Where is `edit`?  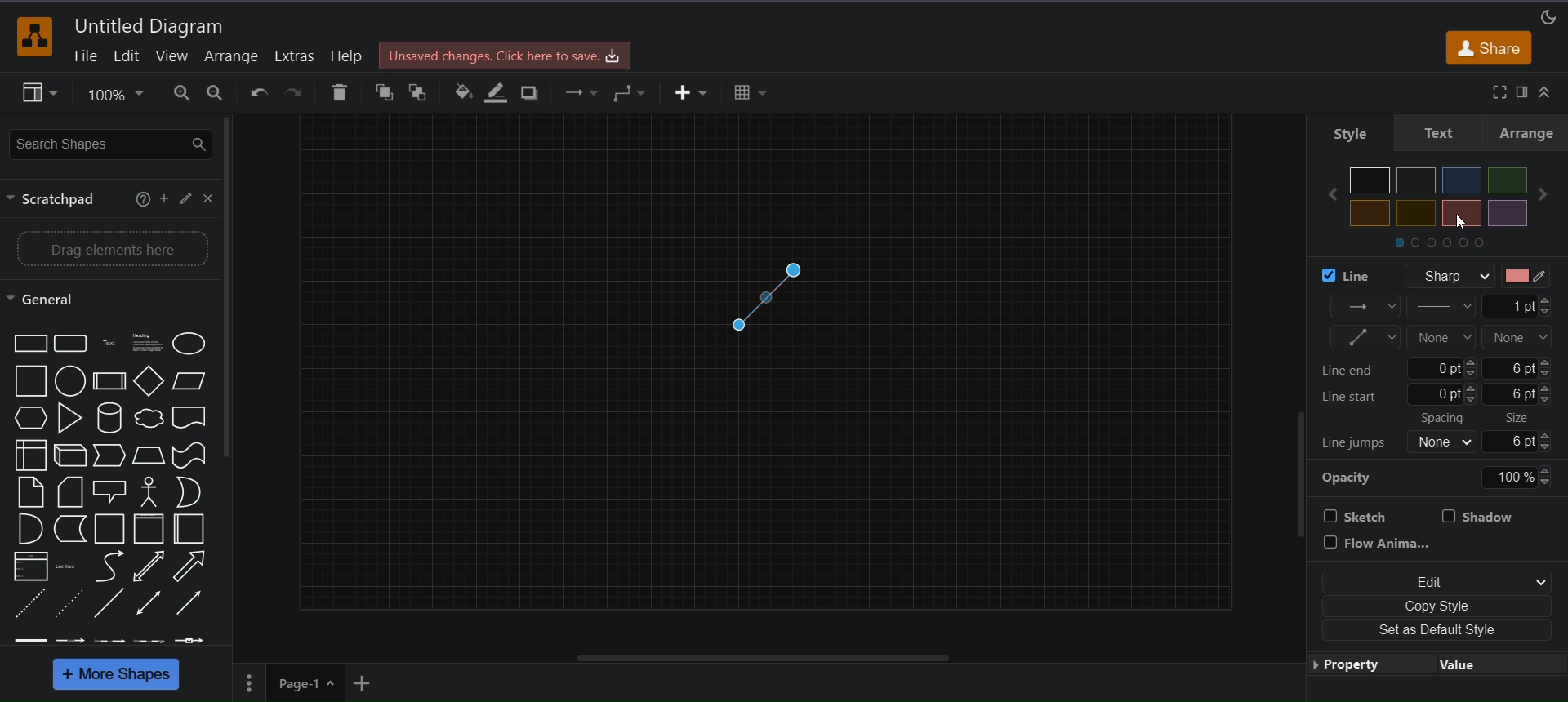
edit is located at coordinates (186, 197).